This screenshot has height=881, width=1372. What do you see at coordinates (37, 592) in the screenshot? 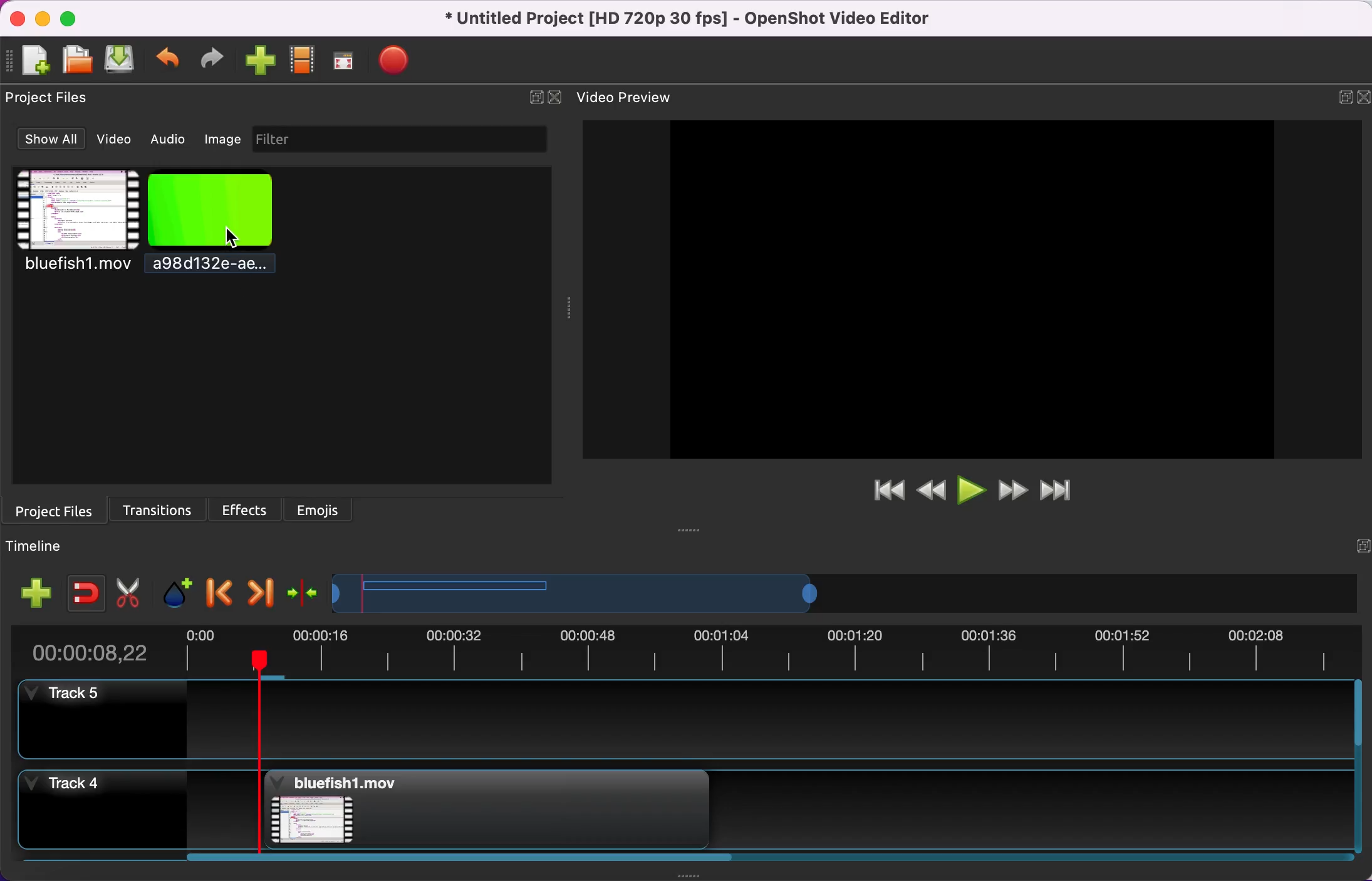
I see `add track` at bounding box center [37, 592].